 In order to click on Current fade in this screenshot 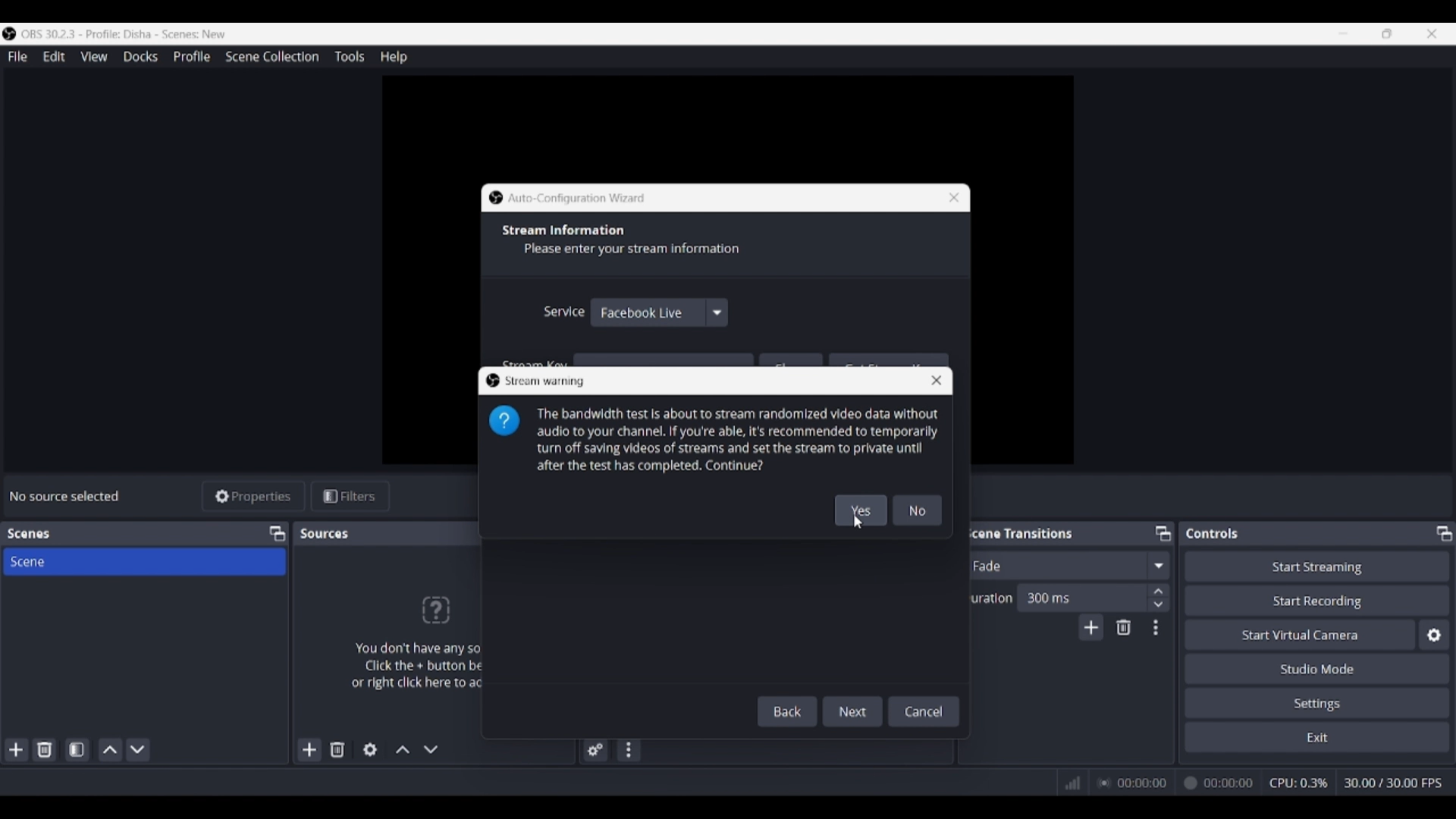, I will do `click(1053, 565)`.